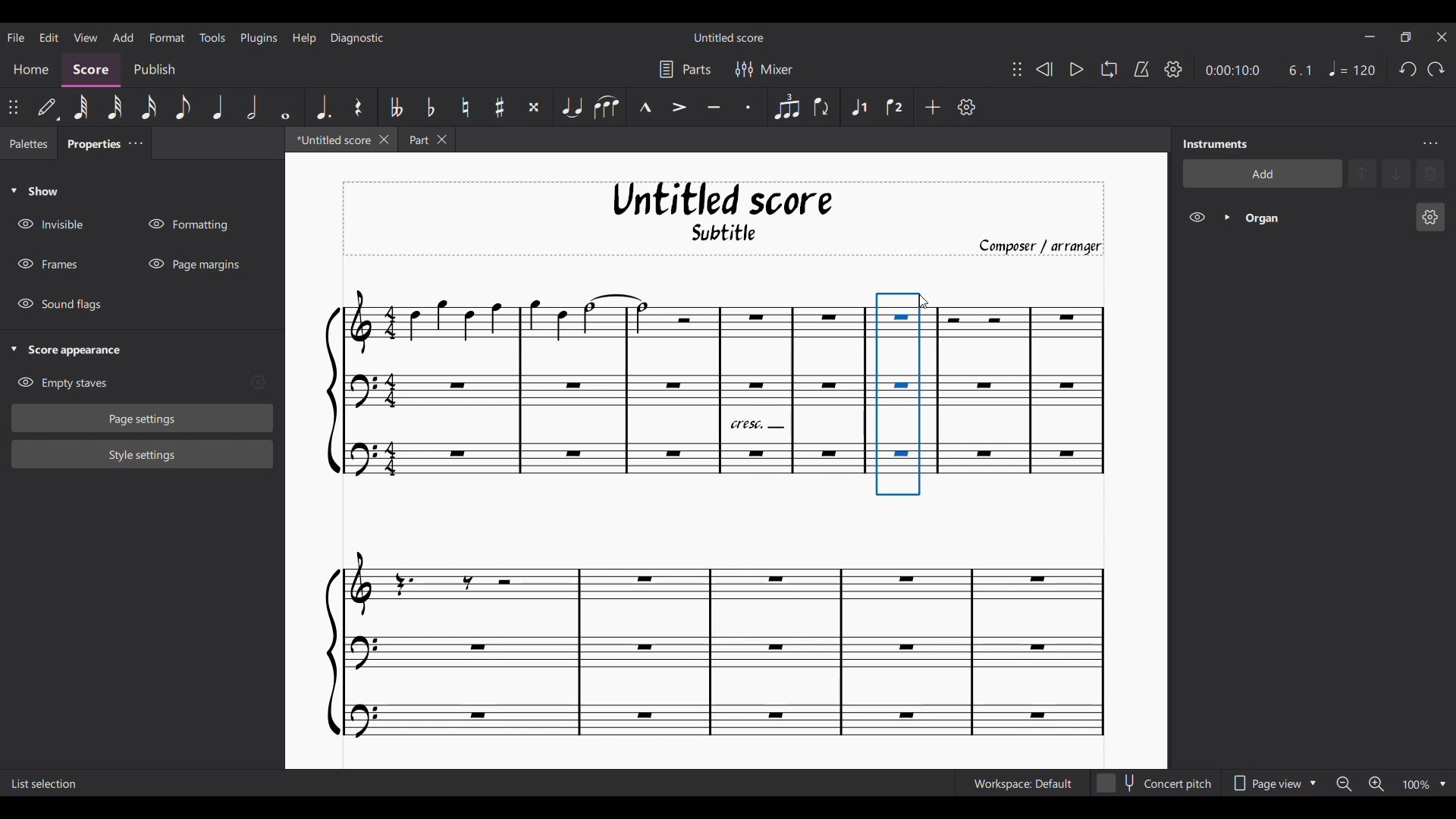 The width and height of the screenshot is (1456, 819). Describe the element at coordinates (358, 38) in the screenshot. I see `Diagnostic menu` at that location.